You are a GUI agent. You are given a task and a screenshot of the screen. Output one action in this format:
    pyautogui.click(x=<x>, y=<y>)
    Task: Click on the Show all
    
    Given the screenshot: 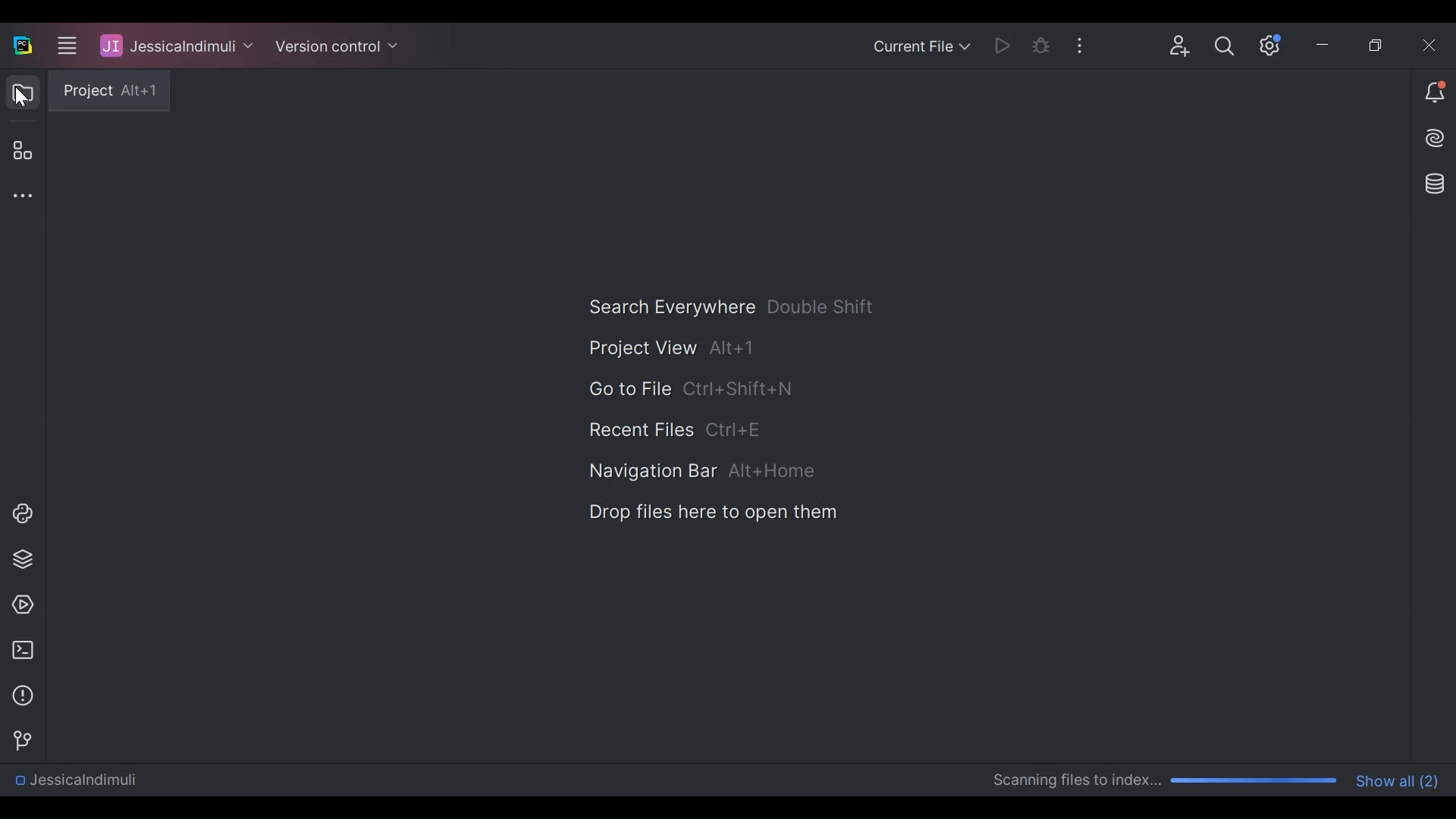 What is the action you would take?
    pyautogui.click(x=1396, y=781)
    